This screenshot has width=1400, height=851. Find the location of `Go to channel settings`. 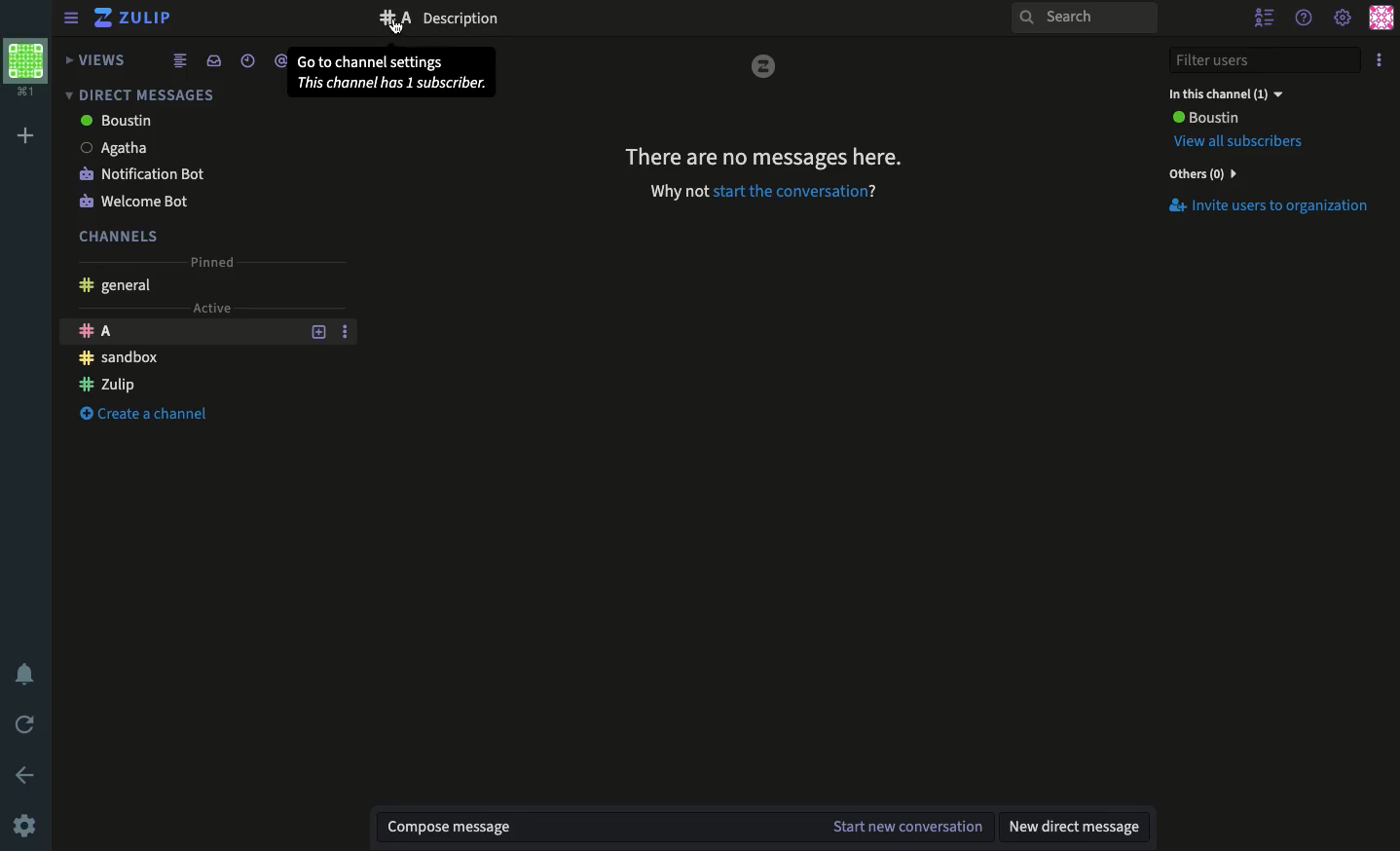

Go to channel settings is located at coordinates (392, 73).